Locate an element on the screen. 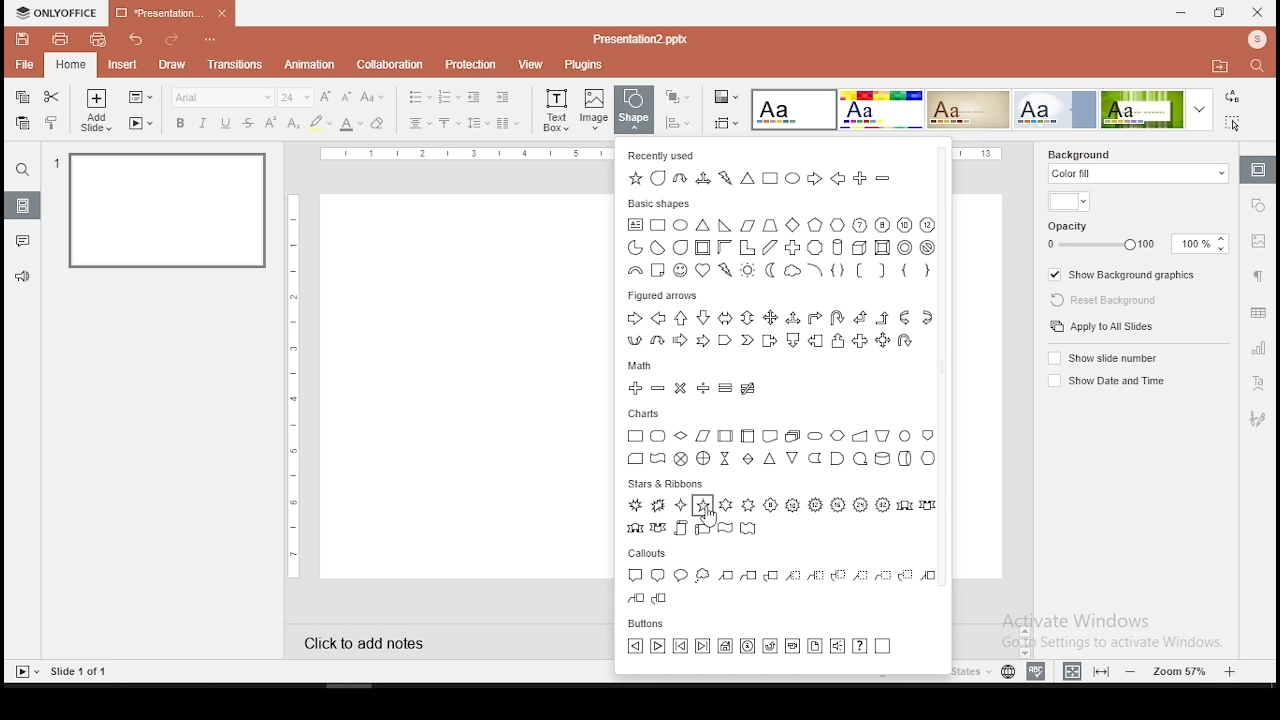  reset background is located at coordinates (1098, 297).